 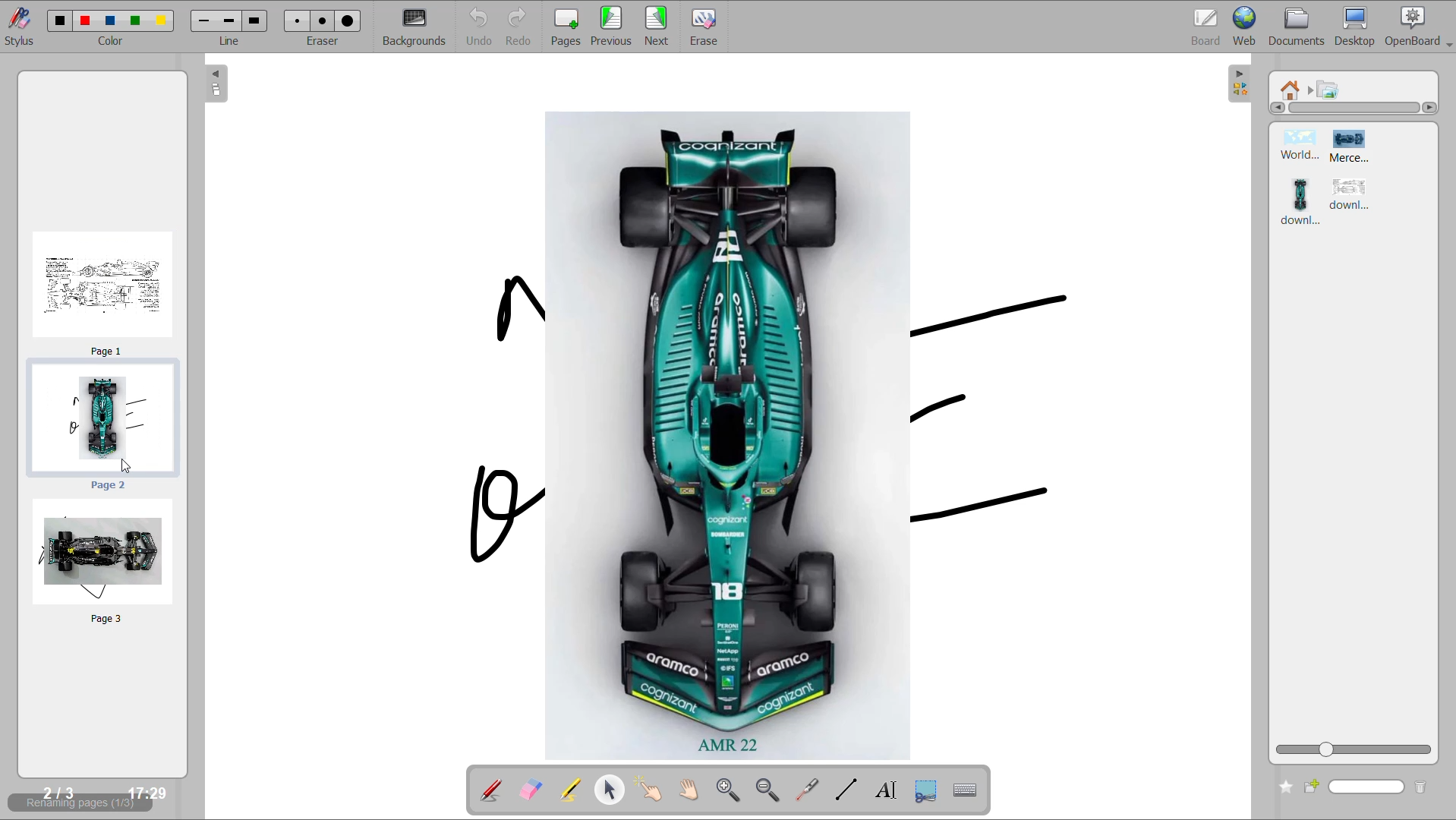 What do you see at coordinates (161, 19) in the screenshot?
I see `color 5` at bounding box center [161, 19].